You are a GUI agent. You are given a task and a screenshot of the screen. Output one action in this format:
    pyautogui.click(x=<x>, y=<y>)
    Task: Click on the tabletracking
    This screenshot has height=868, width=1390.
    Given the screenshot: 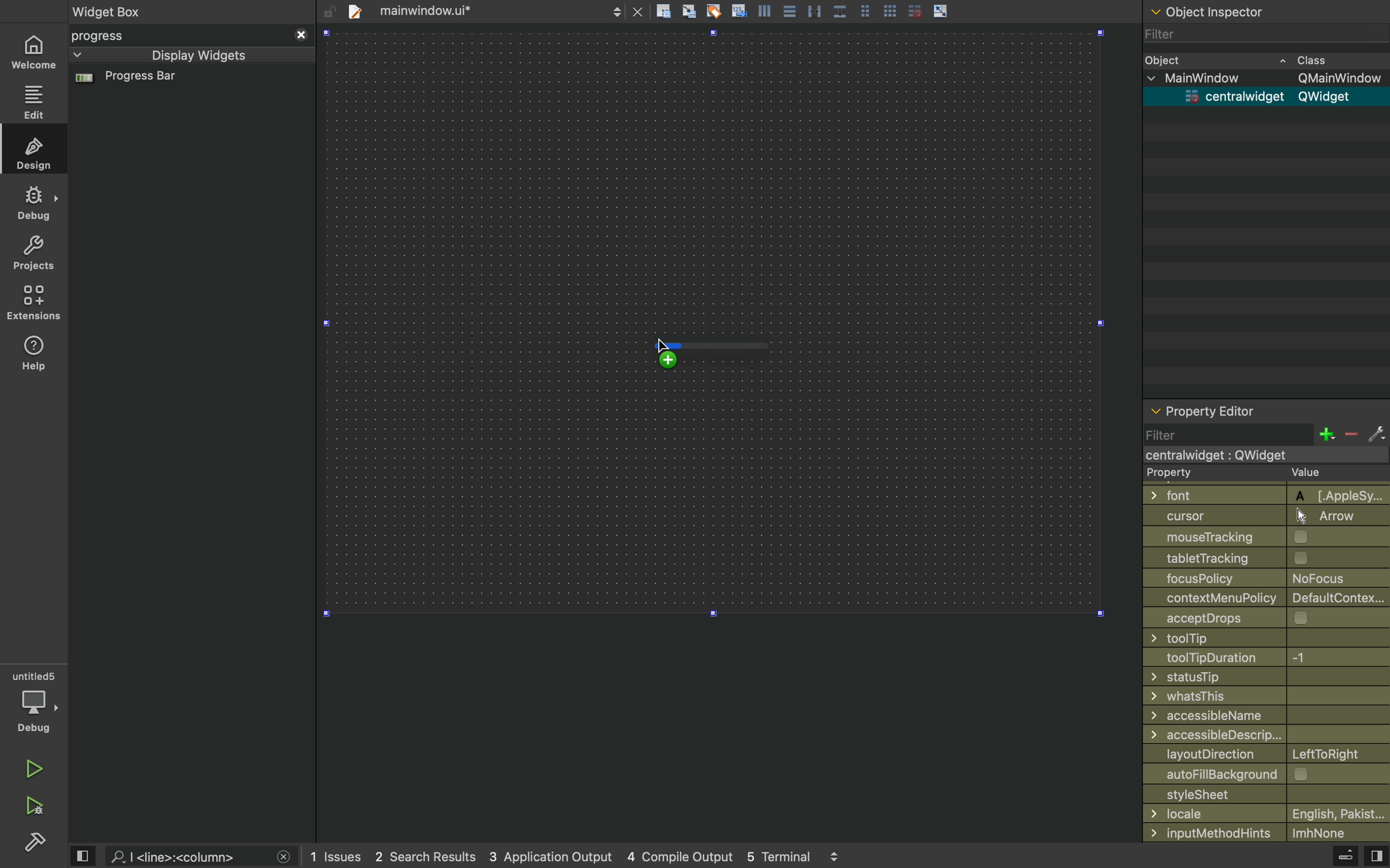 What is the action you would take?
    pyautogui.click(x=1267, y=557)
    